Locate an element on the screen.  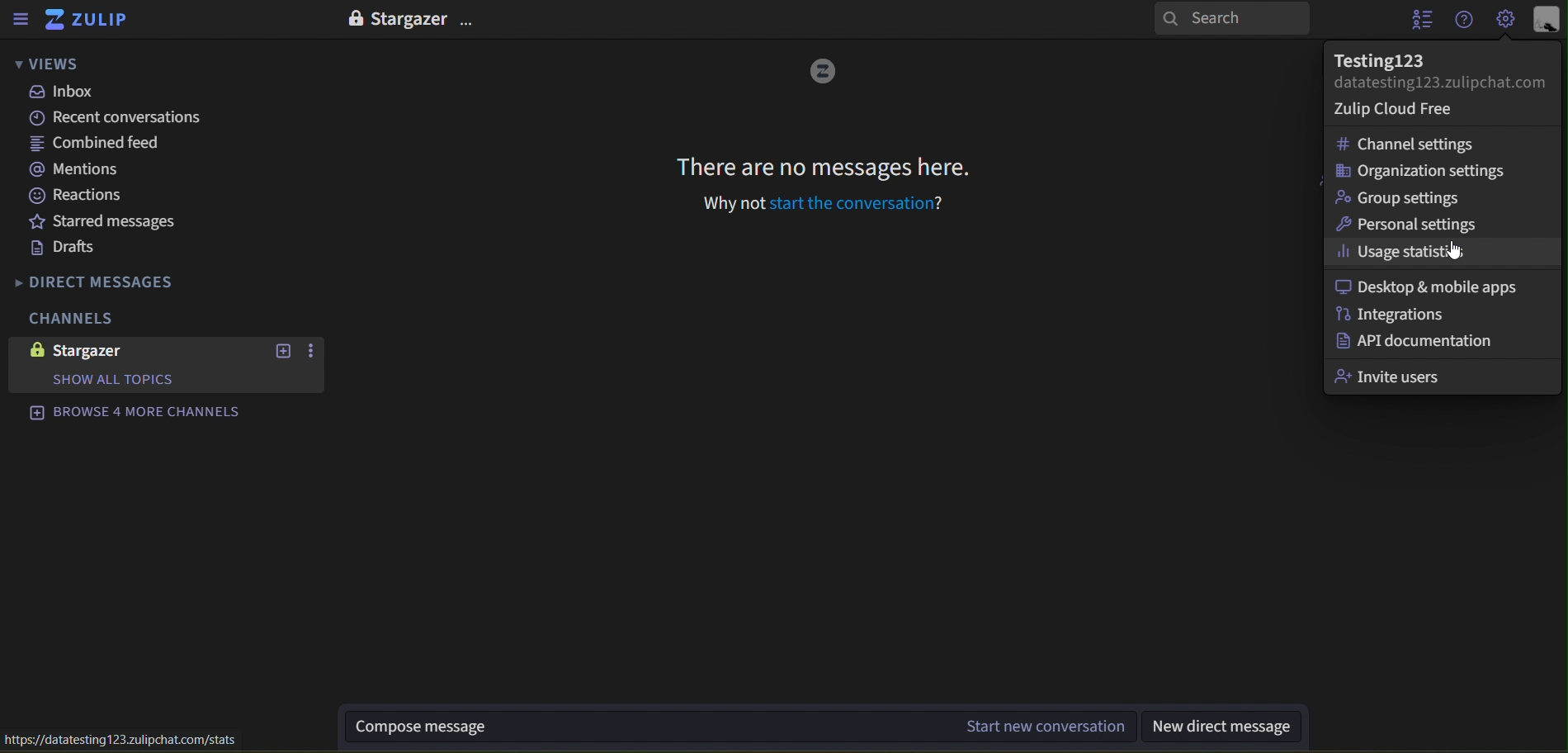
hide user list is located at coordinates (1421, 19).